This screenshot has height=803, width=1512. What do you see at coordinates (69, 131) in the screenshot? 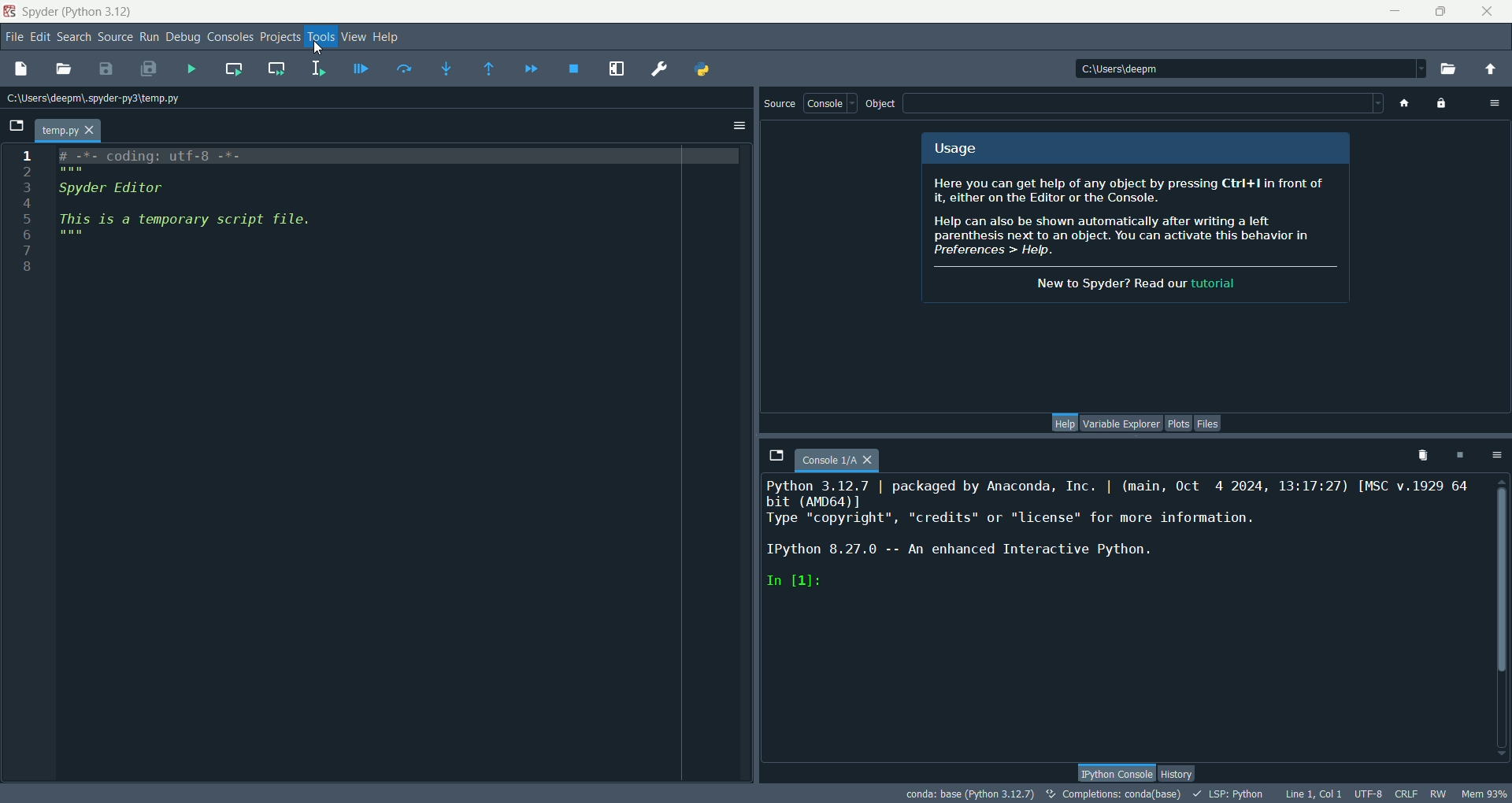
I see `temp.py` at bounding box center [69, 131].